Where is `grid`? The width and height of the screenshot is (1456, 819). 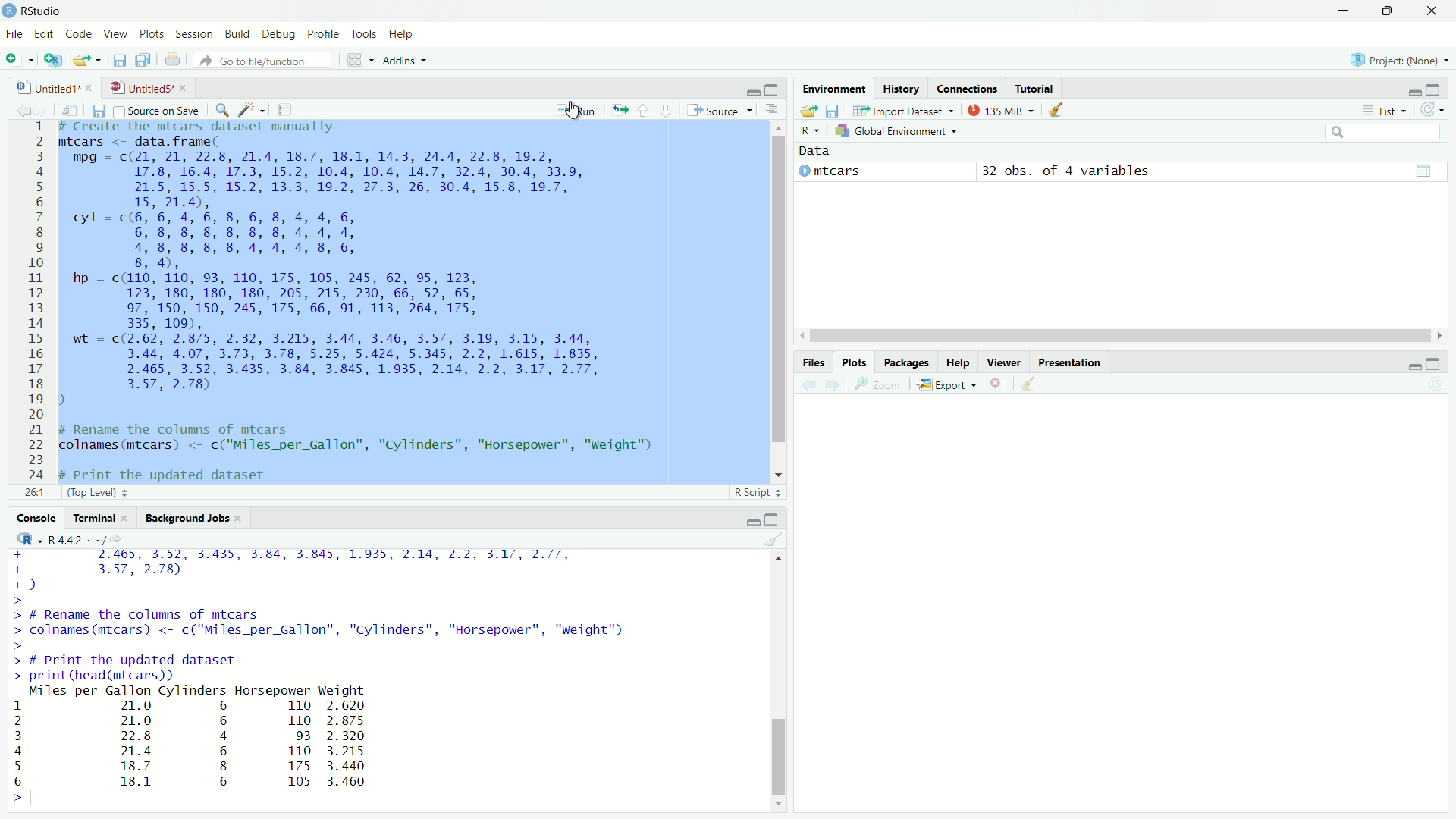 grid is located at coordinates (361, 60).